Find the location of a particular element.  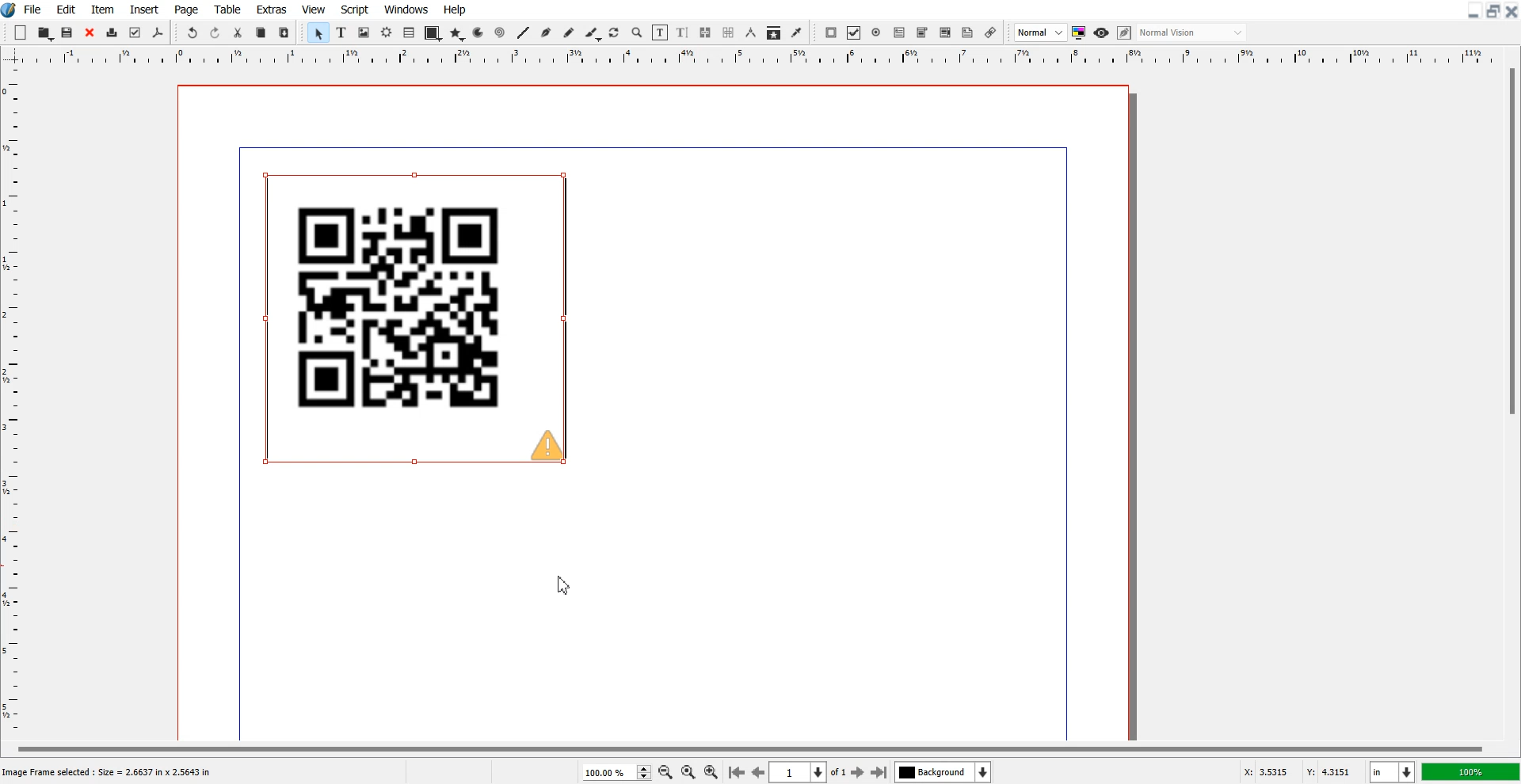

Arc is located at coordinates (479, 32).